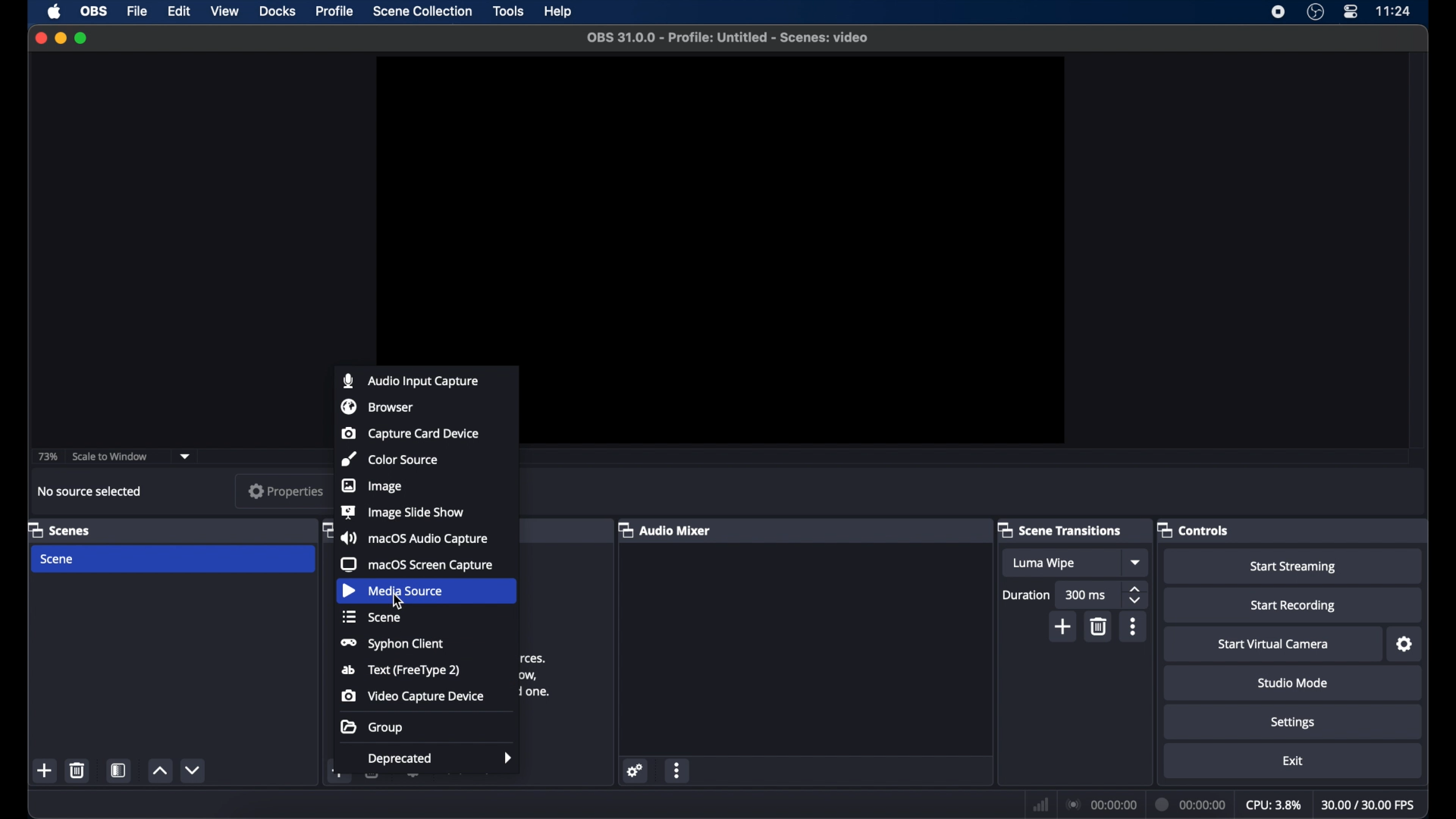 The height and width of the screenshot is (819, 1456). Describe the element at coordinates (1393, 11) in the screenshot. I see `time` at that location.